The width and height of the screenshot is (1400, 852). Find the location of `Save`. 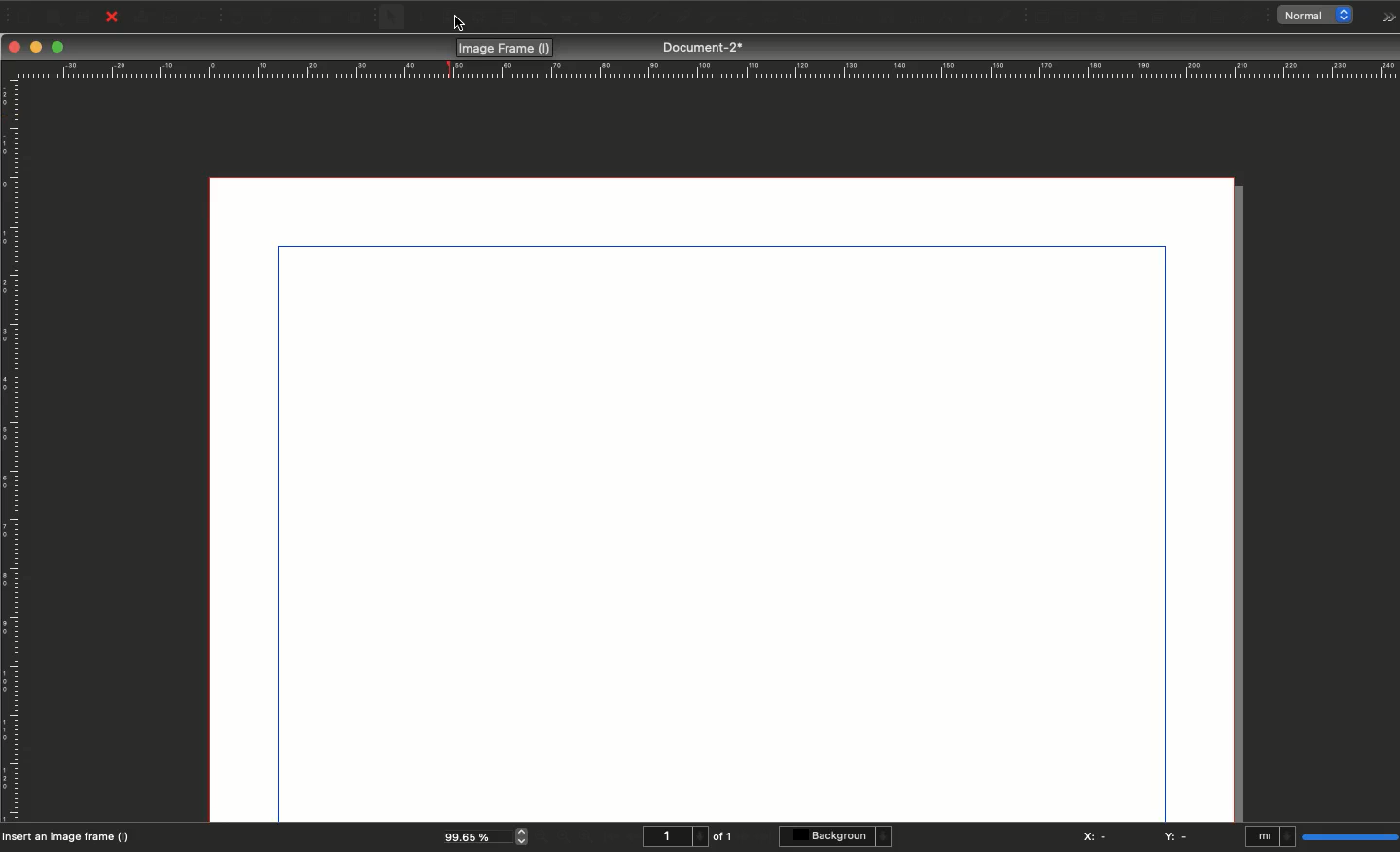

Save is located at coordinates (87, 16).